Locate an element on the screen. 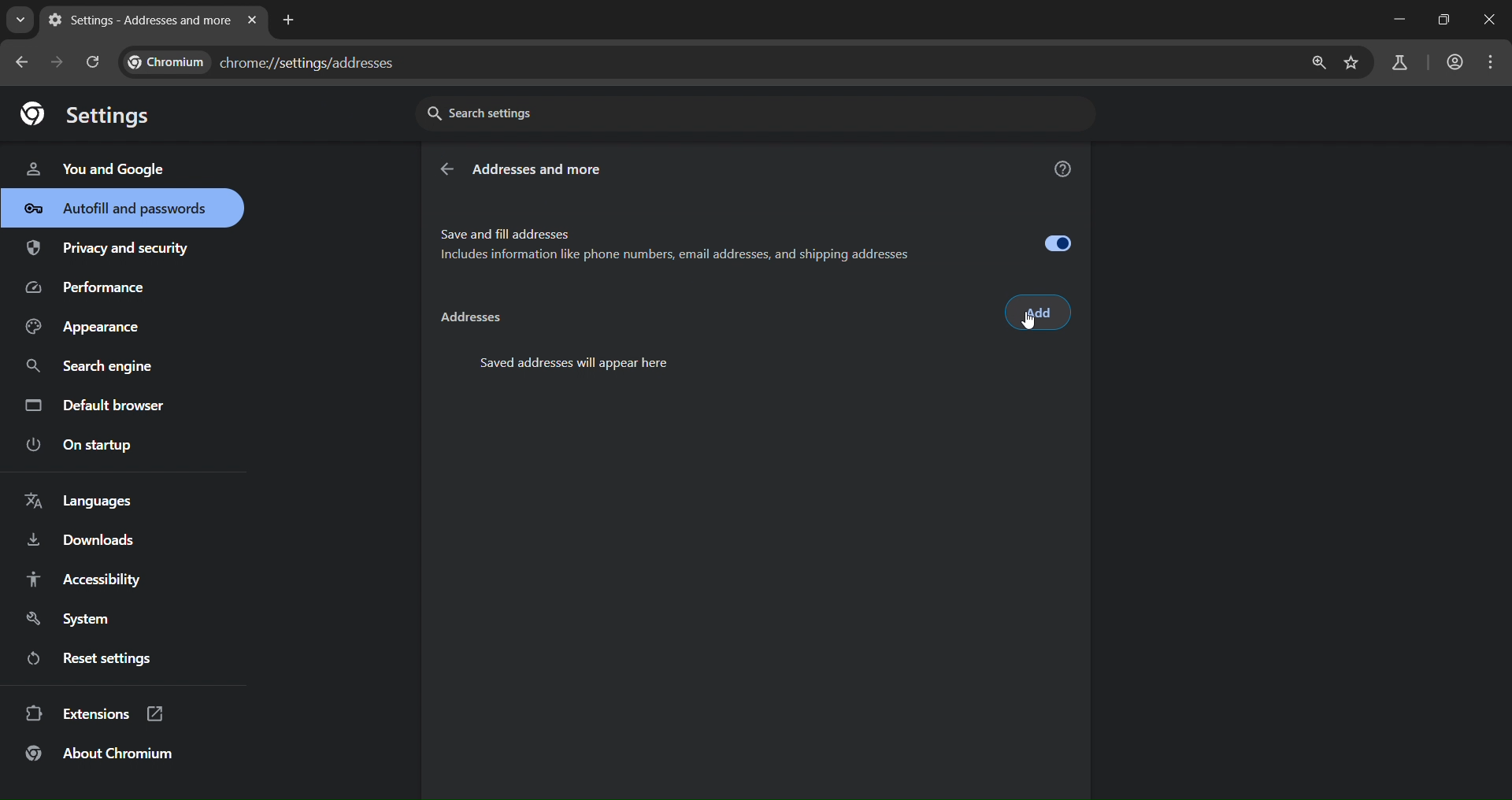 The width and height of the screenshot is (1512, 800). reset settings is located at coordinates (104, 661).